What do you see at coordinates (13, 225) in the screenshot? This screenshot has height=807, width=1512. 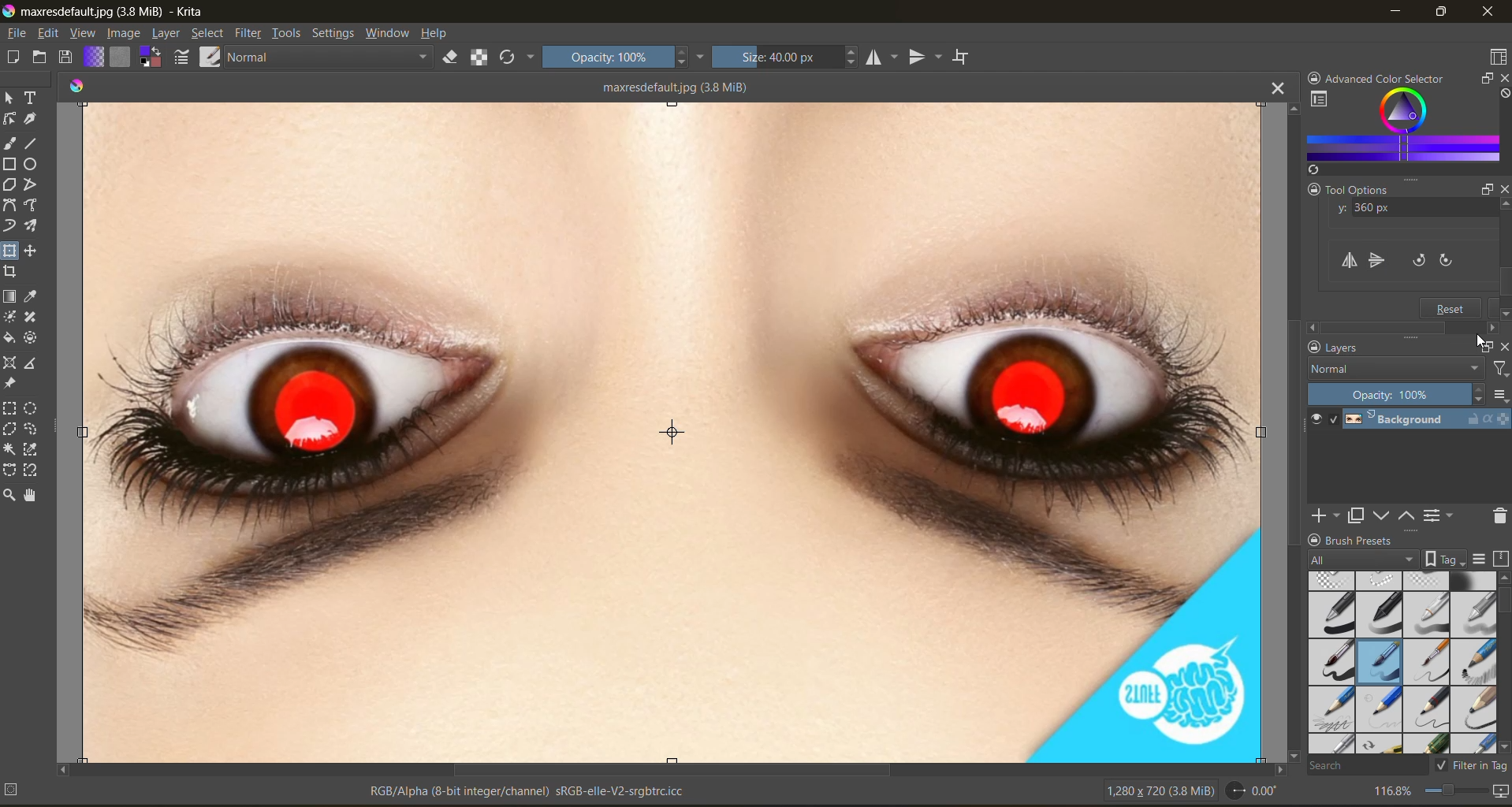 I see `tool` at bounding box center [13, 225].